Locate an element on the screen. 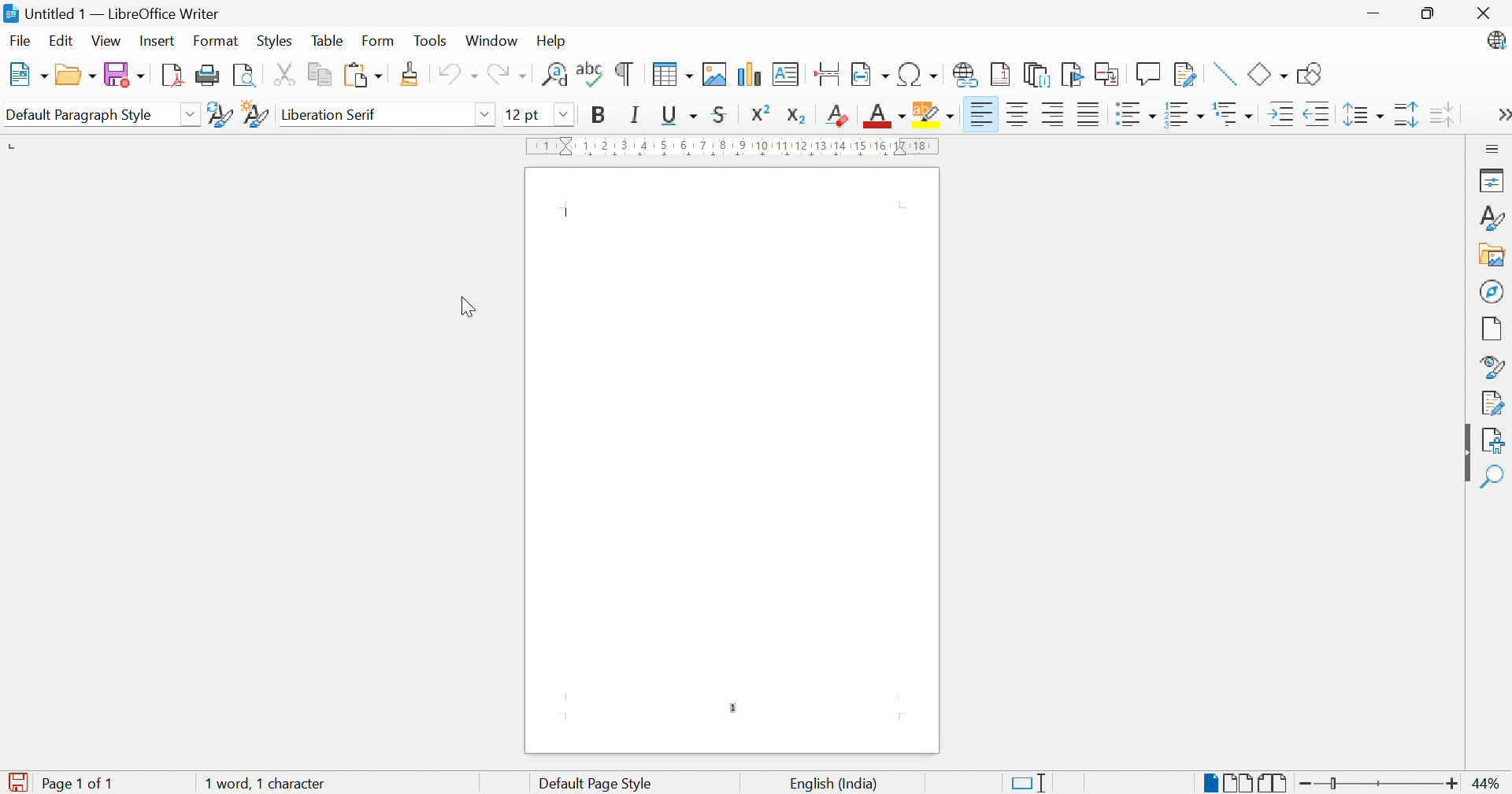 The image size is (1512, 794). Default page style is located at coordinates (598, 784).